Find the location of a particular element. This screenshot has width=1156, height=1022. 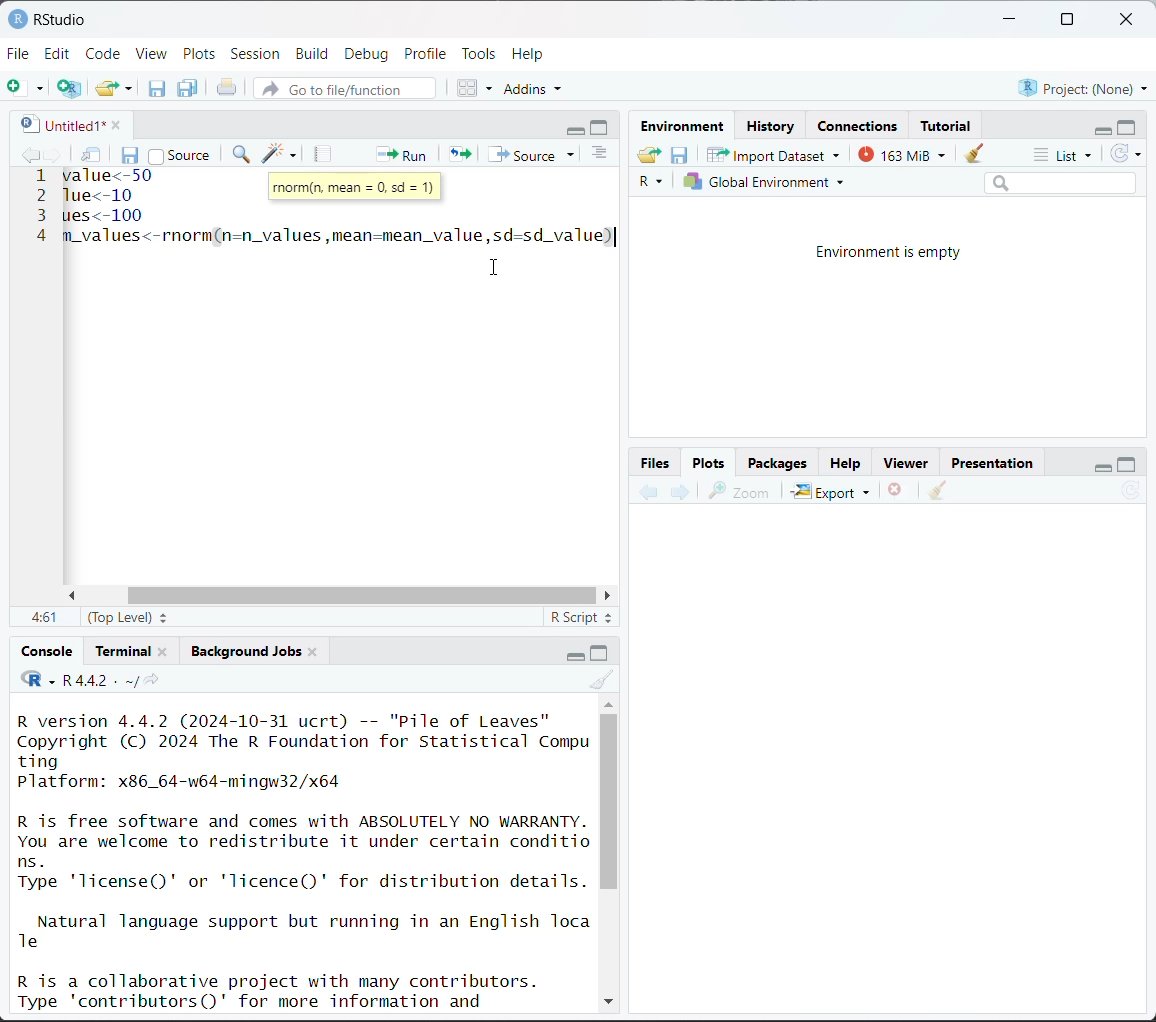

 is located at coordinates (657, 462).